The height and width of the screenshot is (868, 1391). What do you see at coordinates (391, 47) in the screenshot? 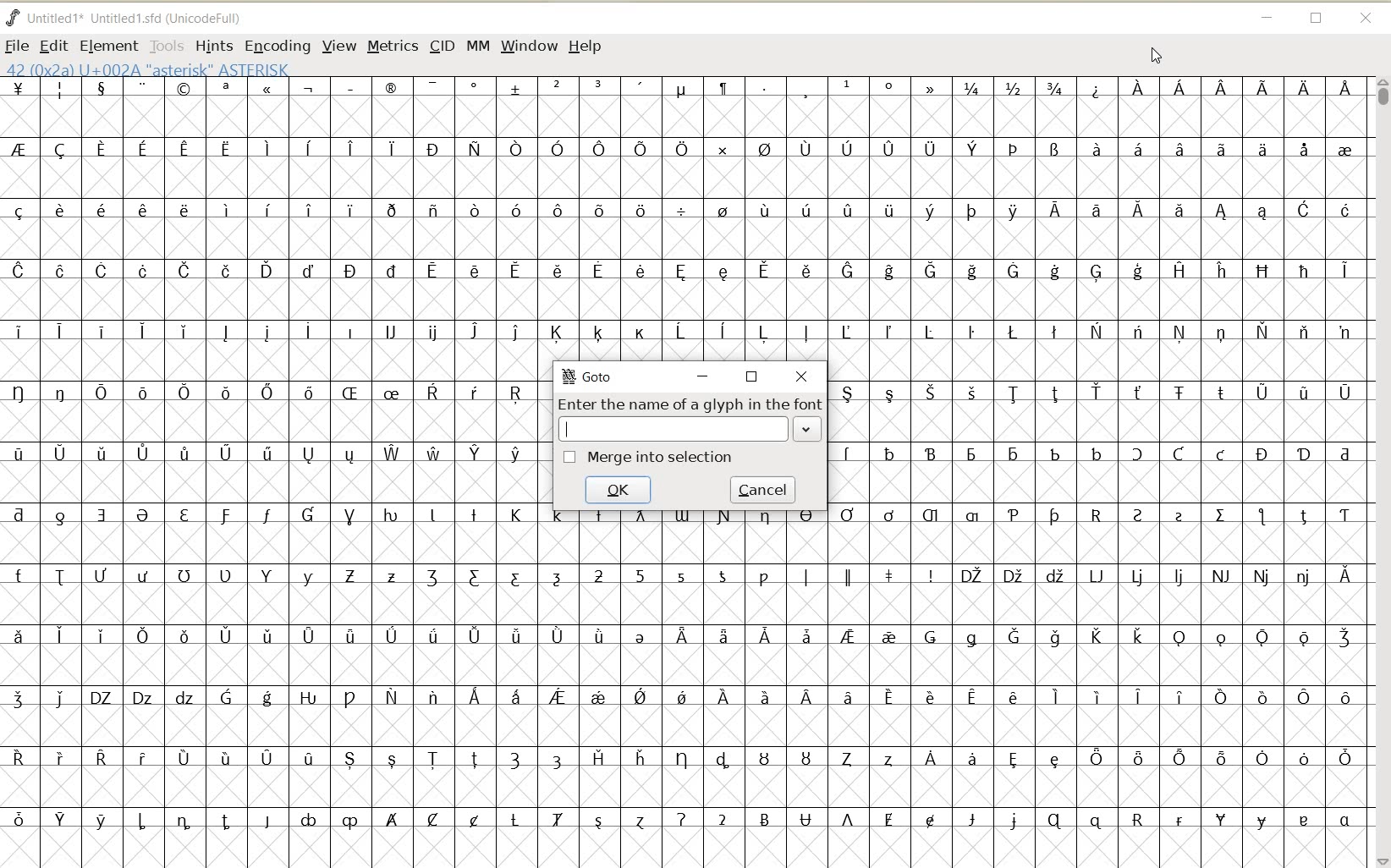
I see `METRICS` at bounding box center [391, 47].